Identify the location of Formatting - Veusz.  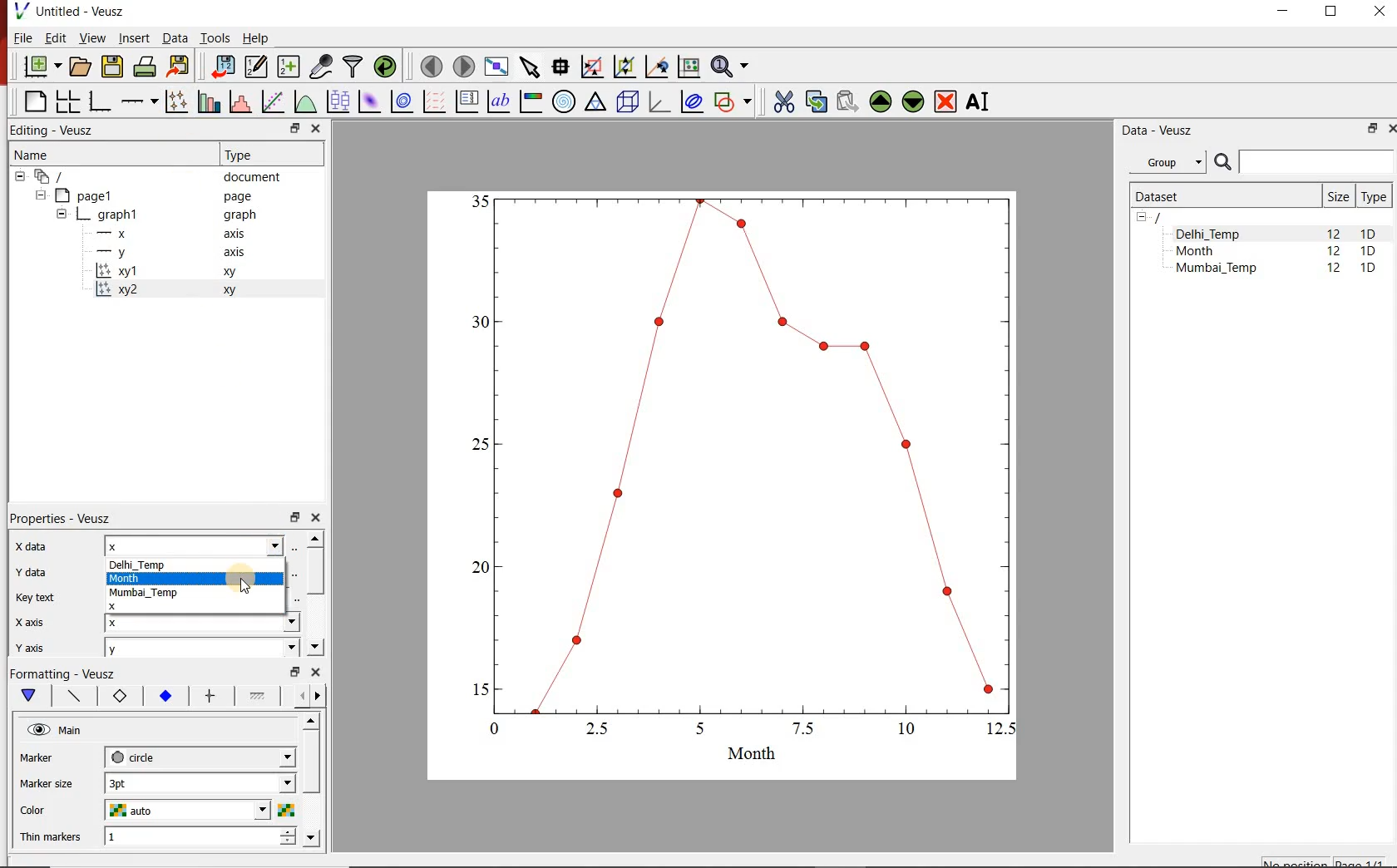
(67, 673).